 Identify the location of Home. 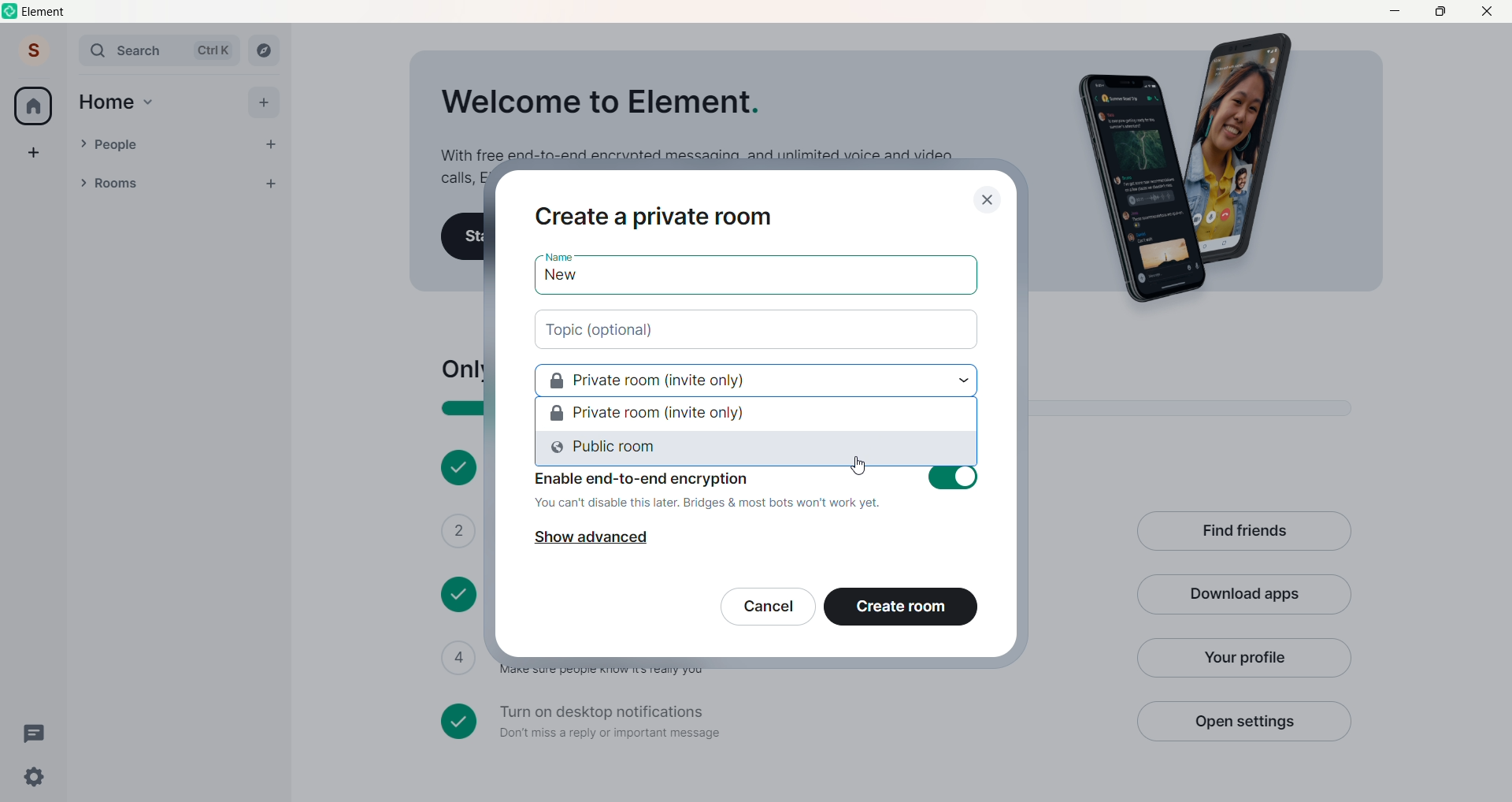
(33, 106).